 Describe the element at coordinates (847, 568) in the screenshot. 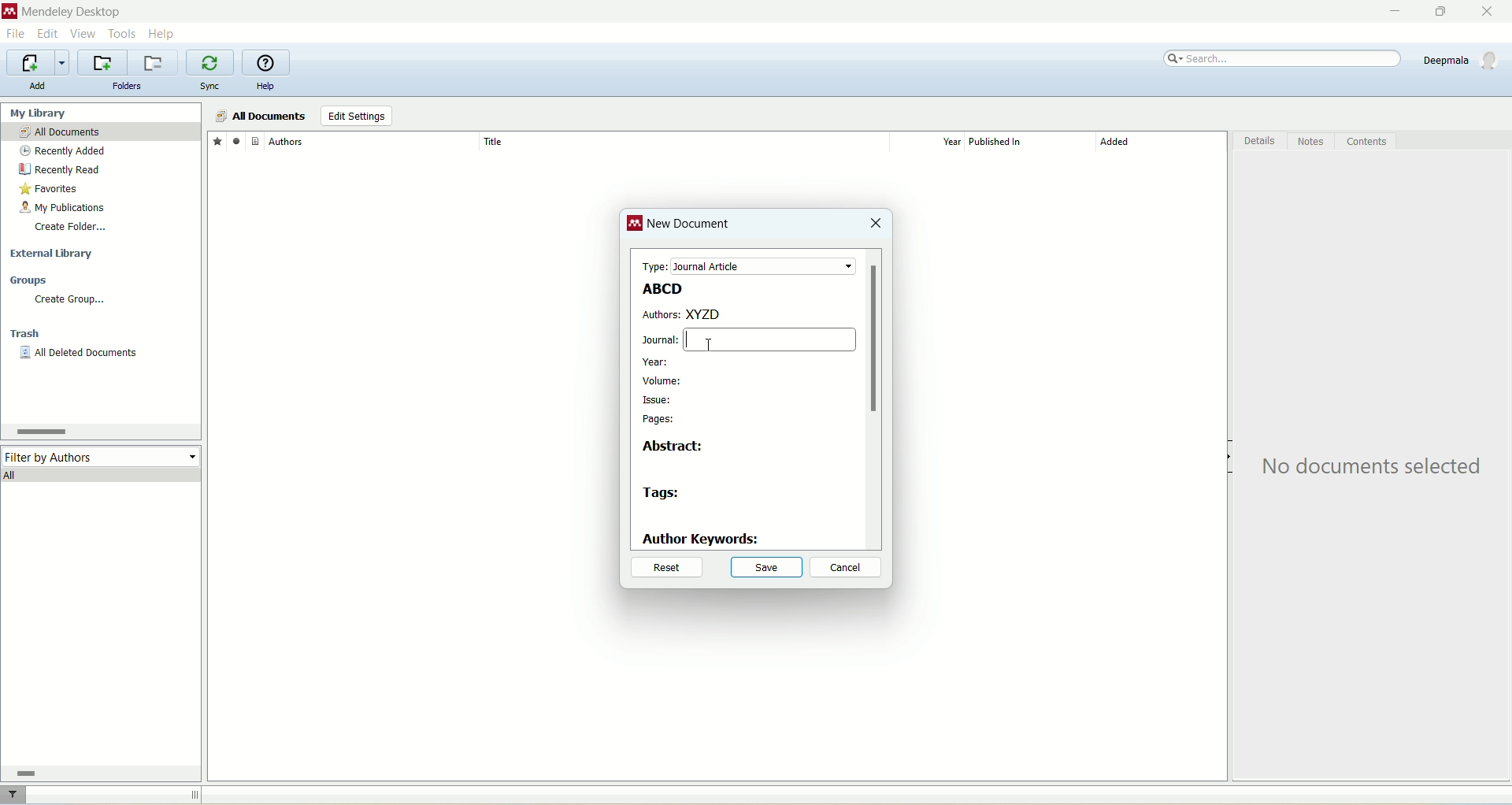

I see `cancel` at that location.